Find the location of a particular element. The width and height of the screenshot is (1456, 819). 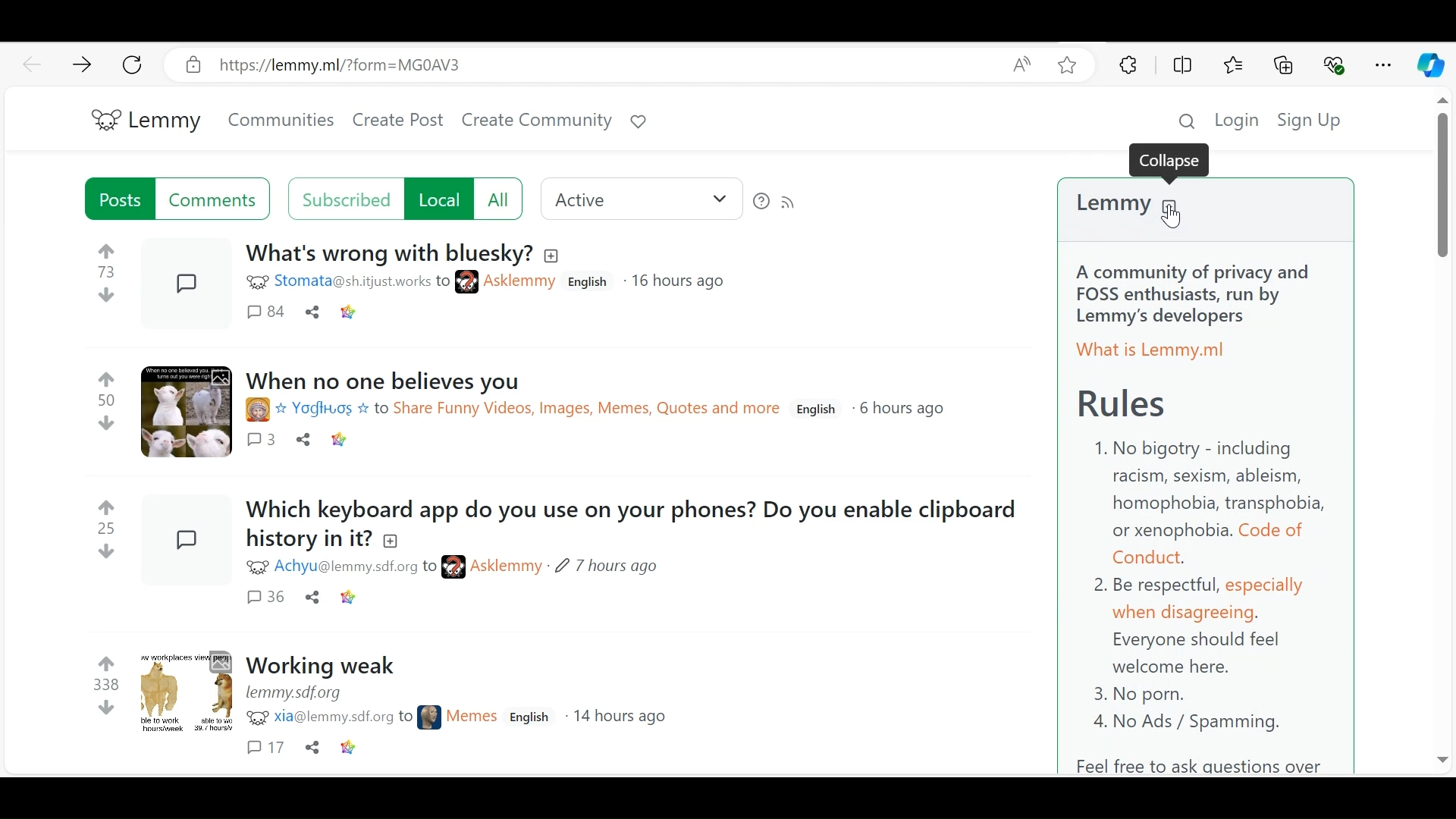

downvotes is located at coordinates (109, 422).